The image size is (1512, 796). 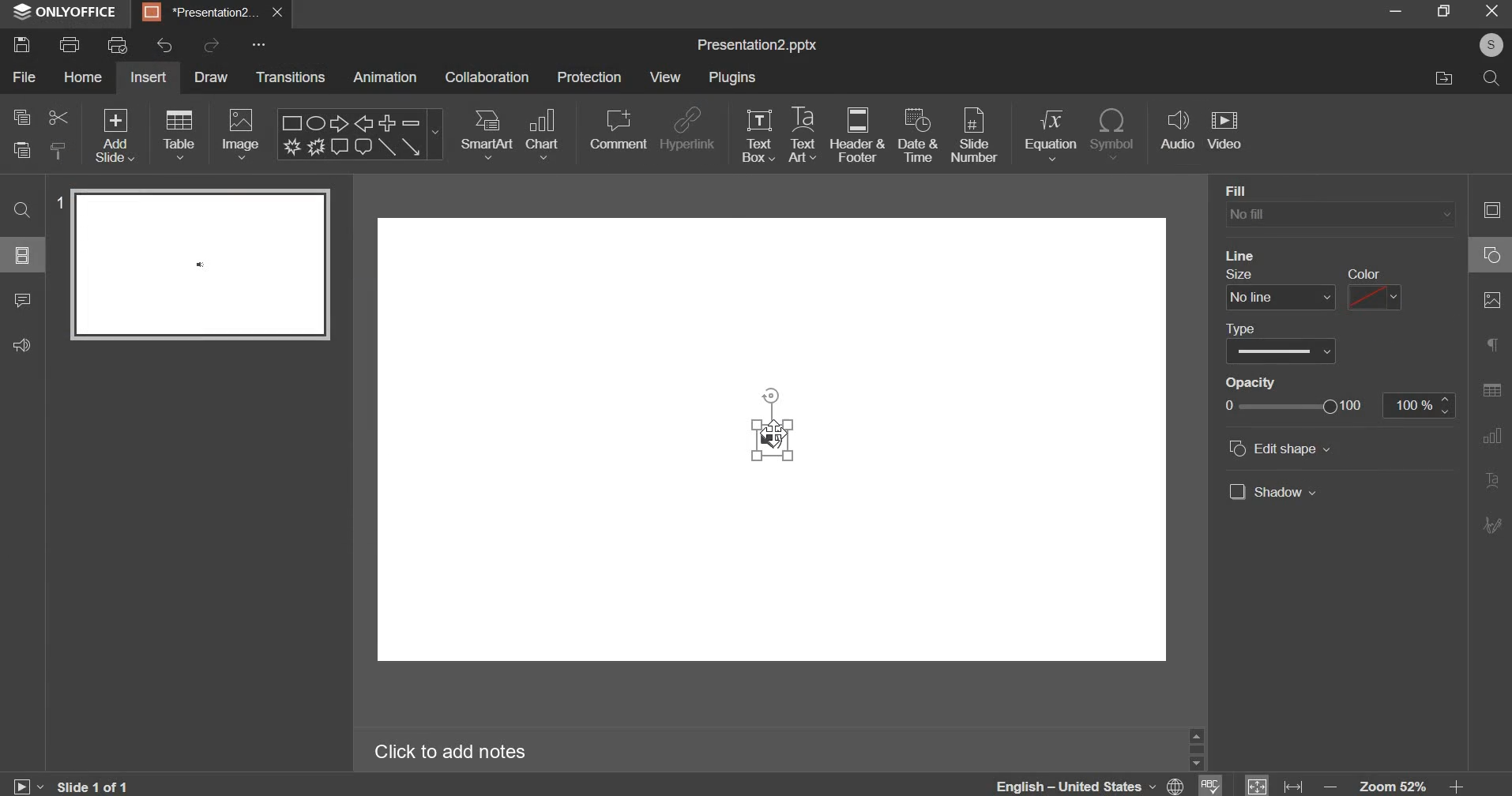 What do you see at coordinates (1491, 389) in the screenshot?
I see `table settings` at bounding box center [1491, 389].